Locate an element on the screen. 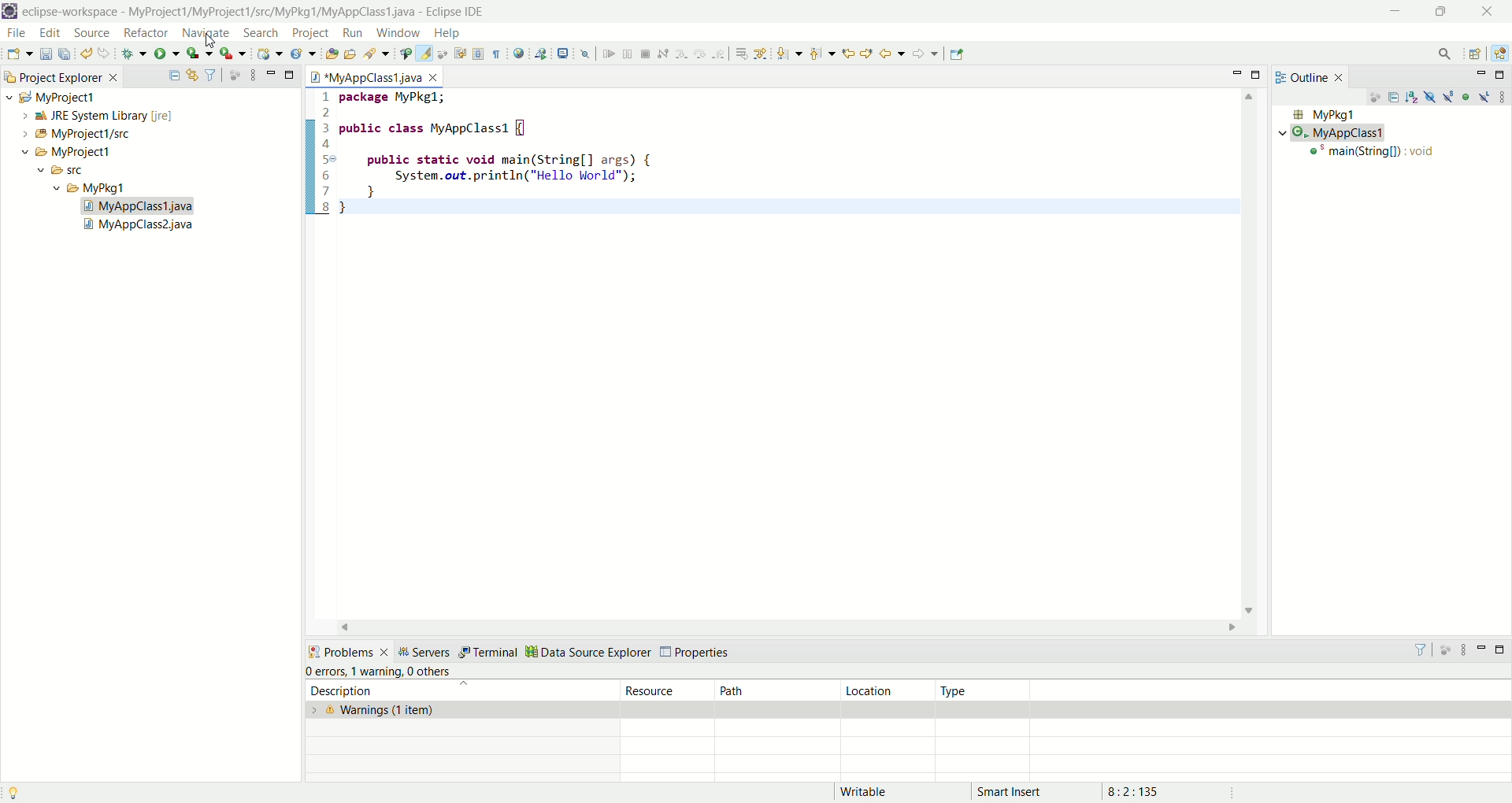 The width and height of the screenshot is (1512, 803). source is located at coordinates (94, 34).